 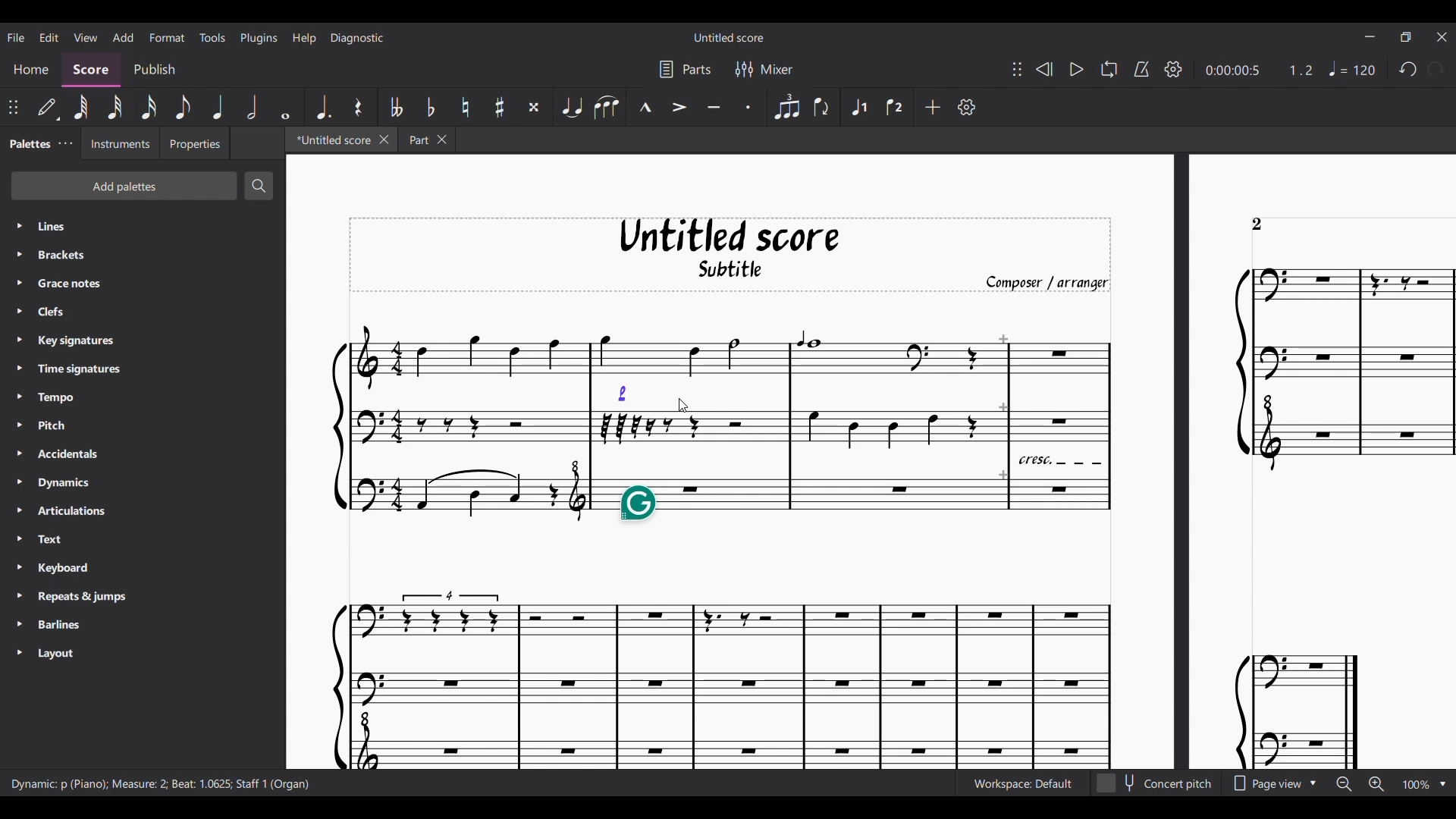 I want to click on Close current tab, so click(x=384, y=140).